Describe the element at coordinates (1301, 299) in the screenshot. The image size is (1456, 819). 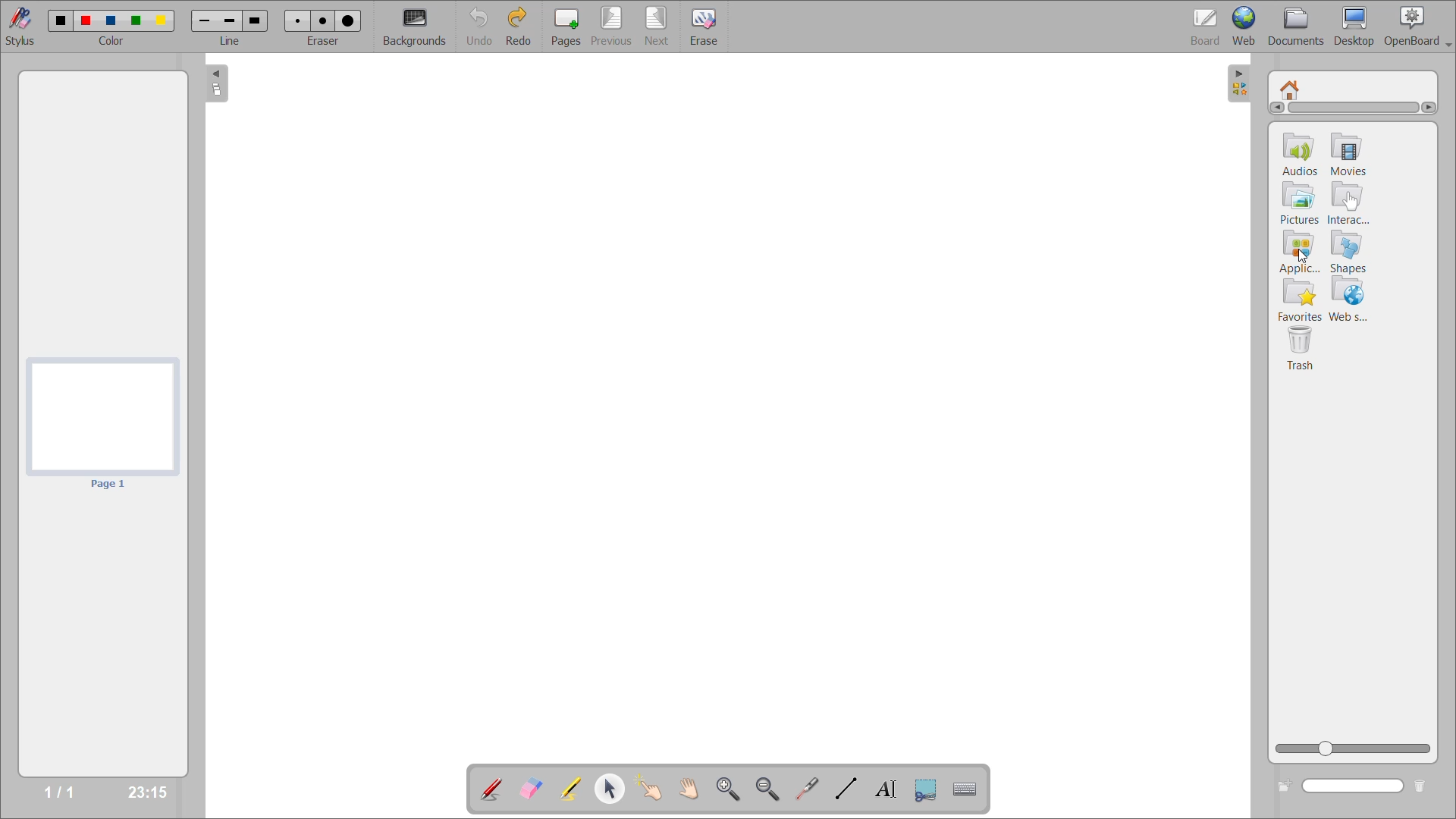
I see `favorites` at that location.